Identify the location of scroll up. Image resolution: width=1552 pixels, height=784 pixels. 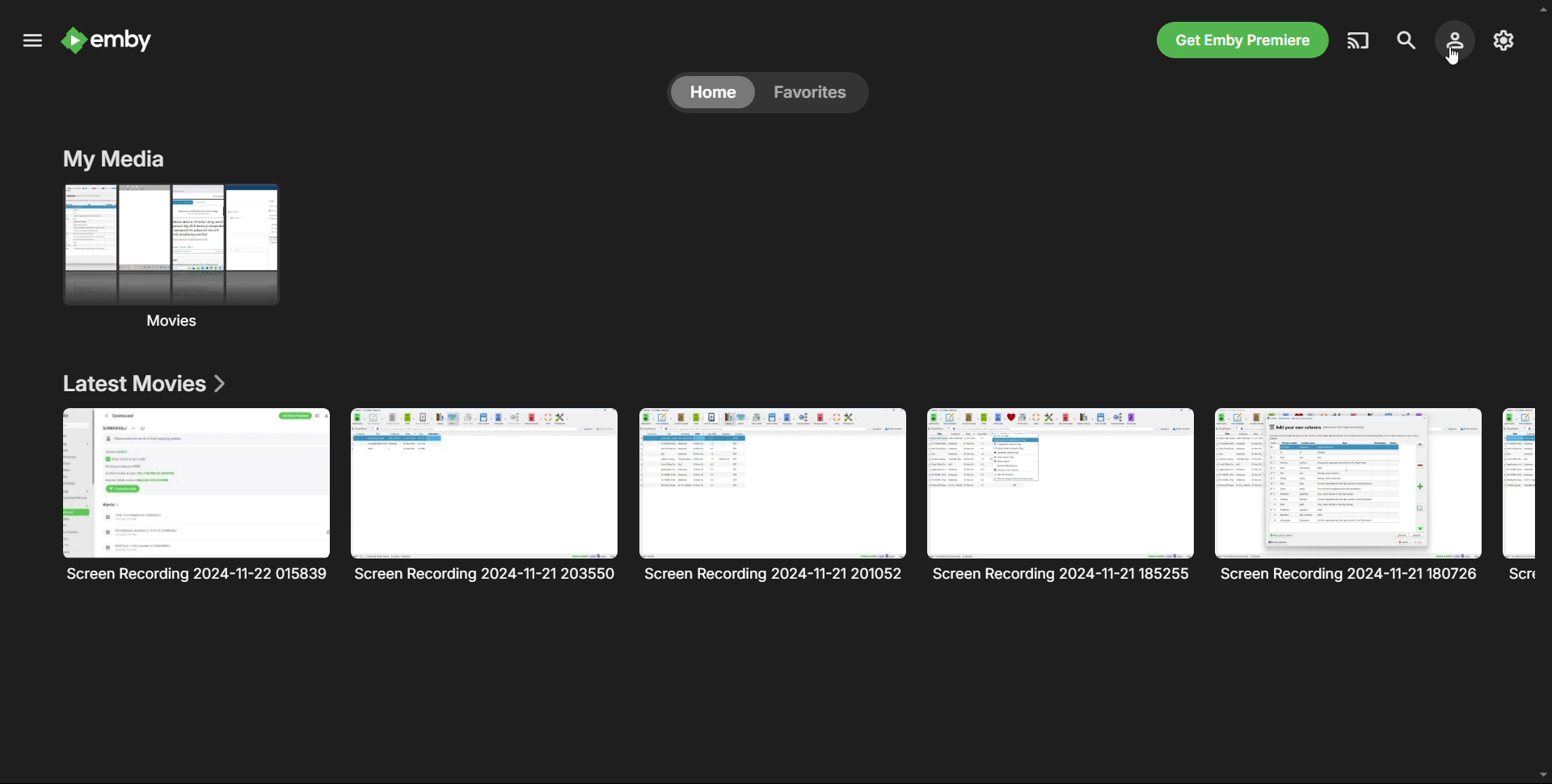
(1542, 8).